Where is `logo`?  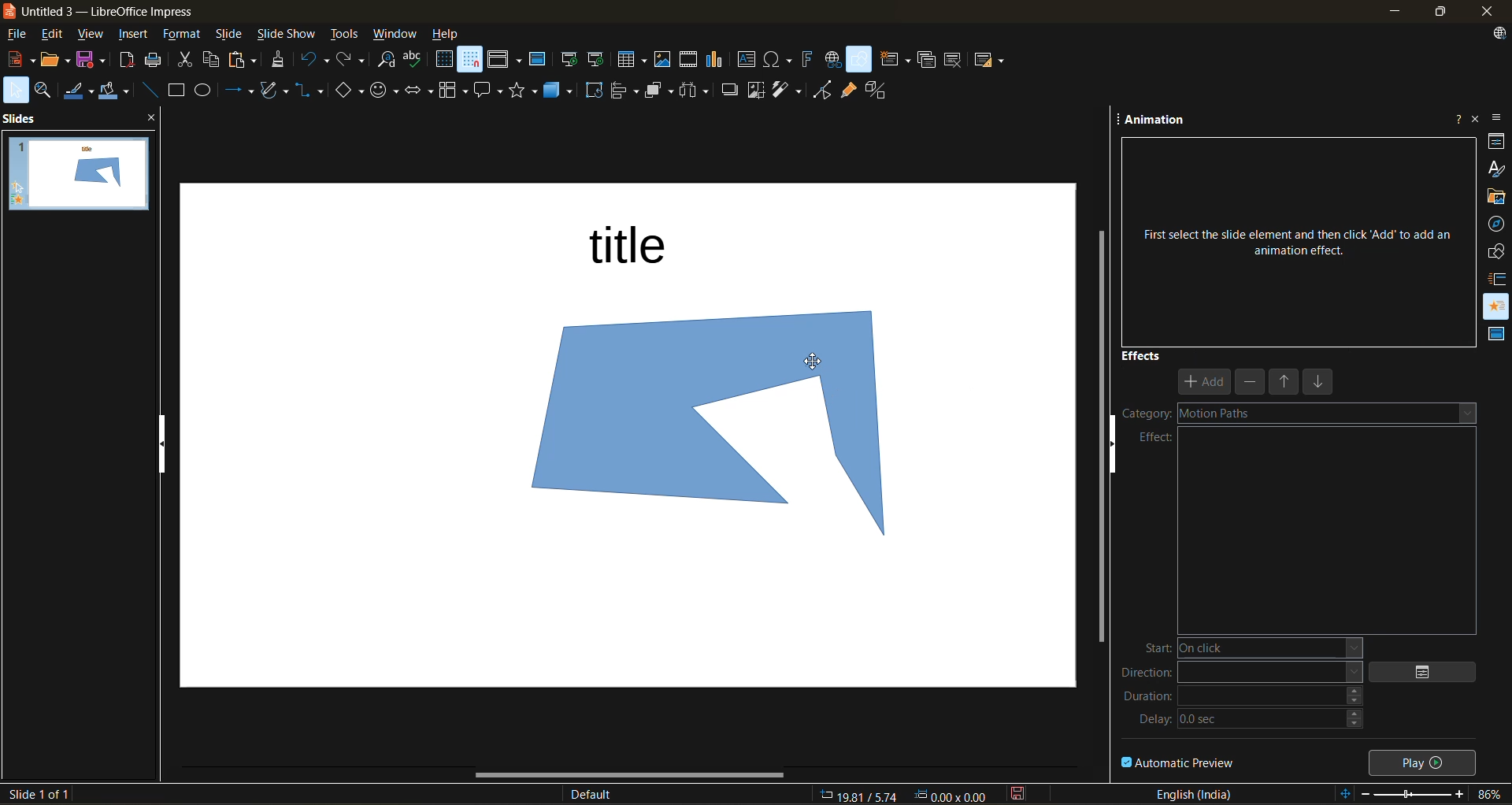 logo is located at coordinates (9, 12).